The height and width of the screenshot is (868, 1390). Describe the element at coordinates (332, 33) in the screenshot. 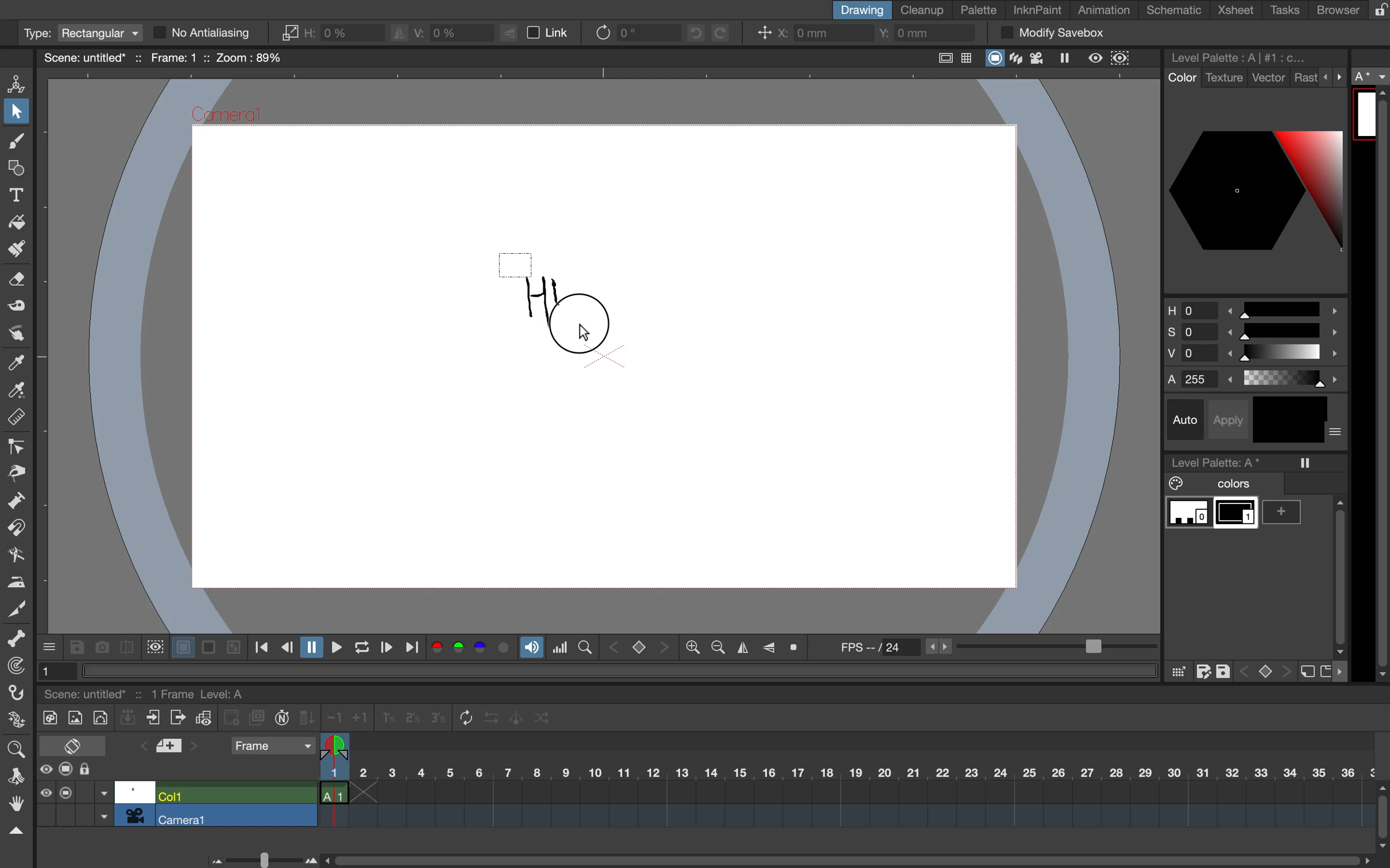

I see `horizontal scaling` at that location.